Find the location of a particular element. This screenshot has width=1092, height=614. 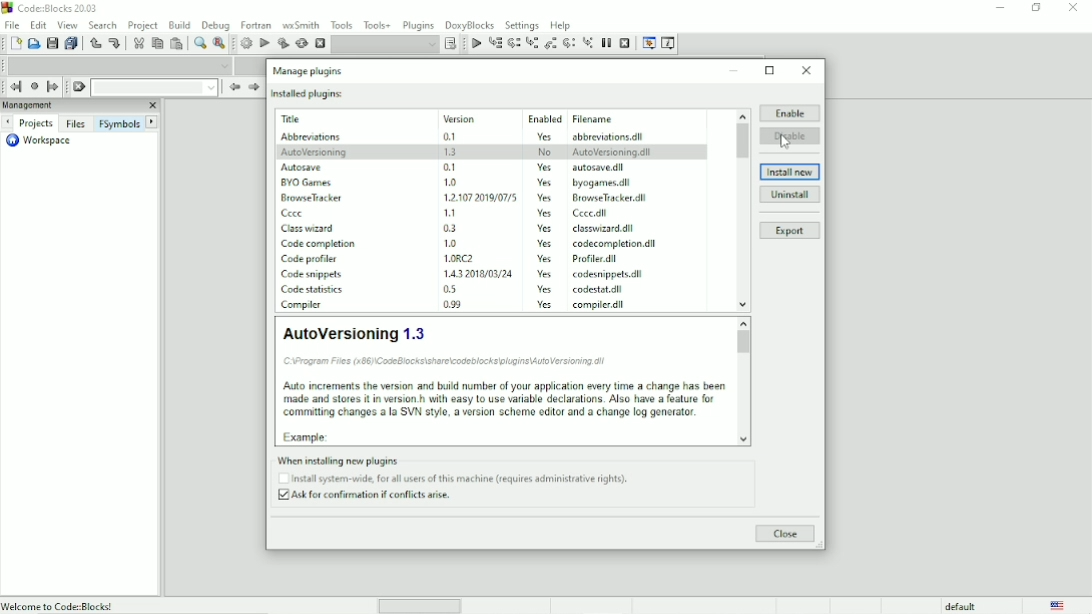

Restore down is located at coordinates (770, 70).